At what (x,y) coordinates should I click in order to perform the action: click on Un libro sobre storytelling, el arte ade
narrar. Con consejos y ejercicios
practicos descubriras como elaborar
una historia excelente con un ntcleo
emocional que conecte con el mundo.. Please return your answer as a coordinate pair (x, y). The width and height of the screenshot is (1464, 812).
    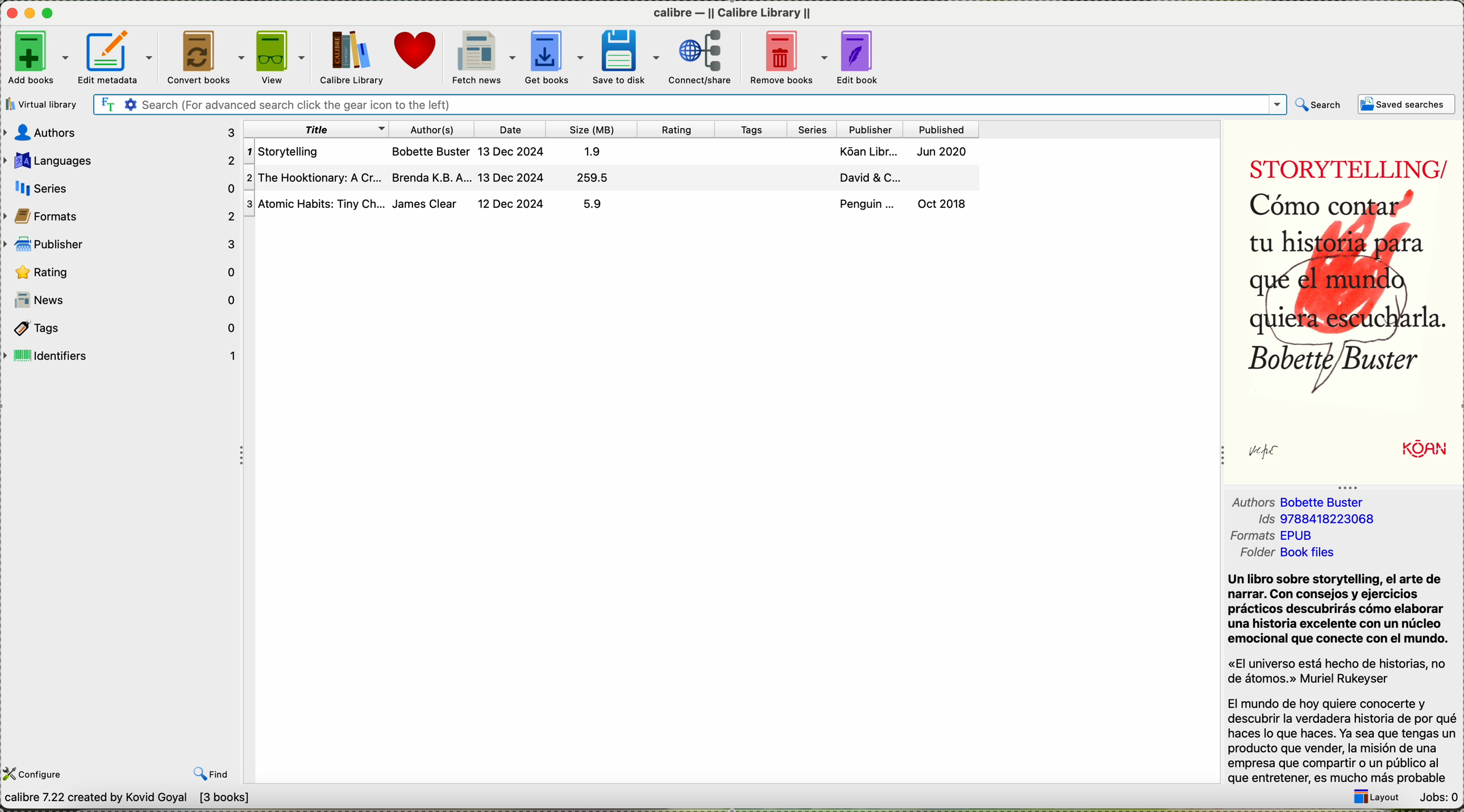
    Looking at the image, I should click on (1338, 610).